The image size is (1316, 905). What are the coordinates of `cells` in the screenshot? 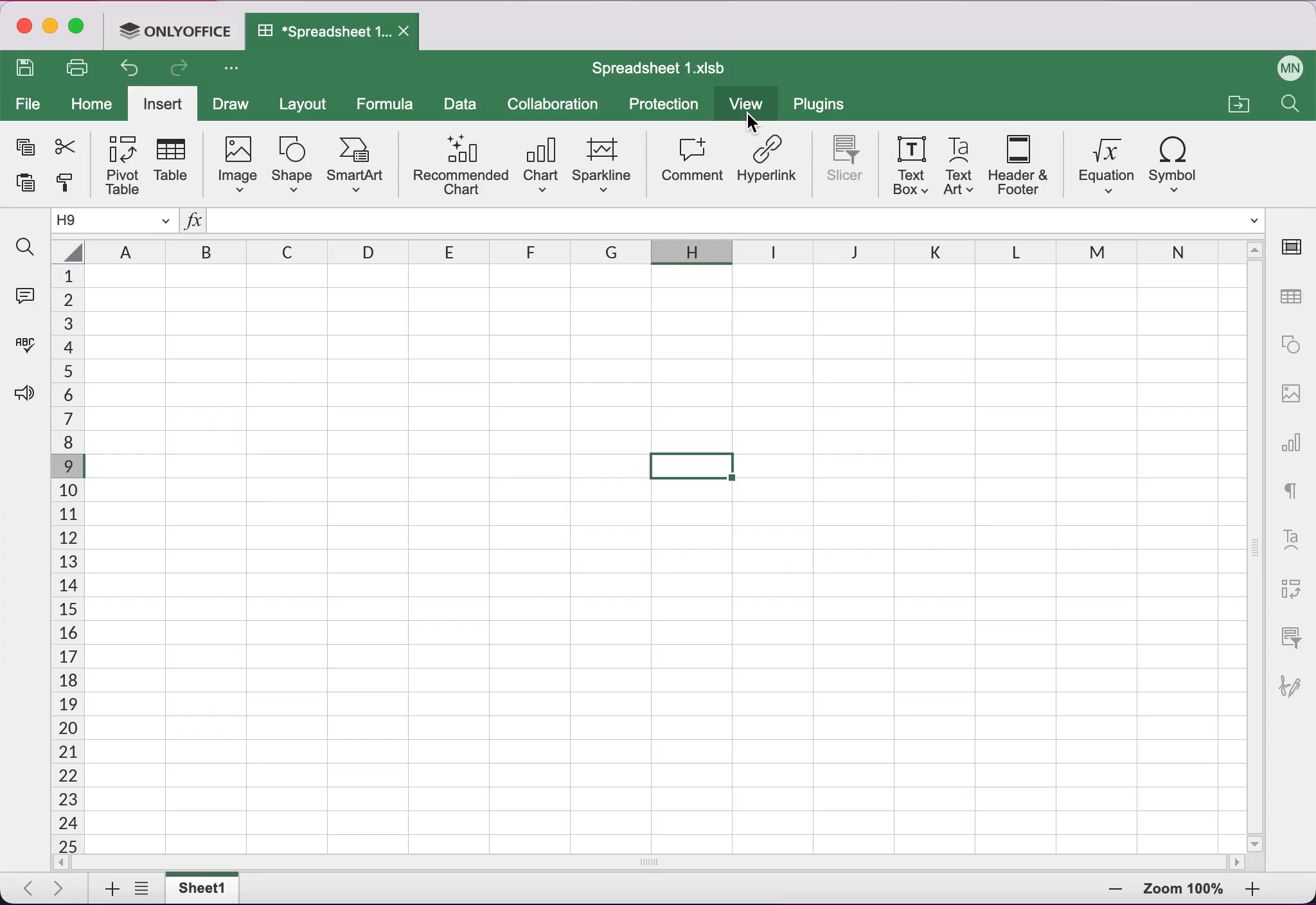 It's located at (65, 558).